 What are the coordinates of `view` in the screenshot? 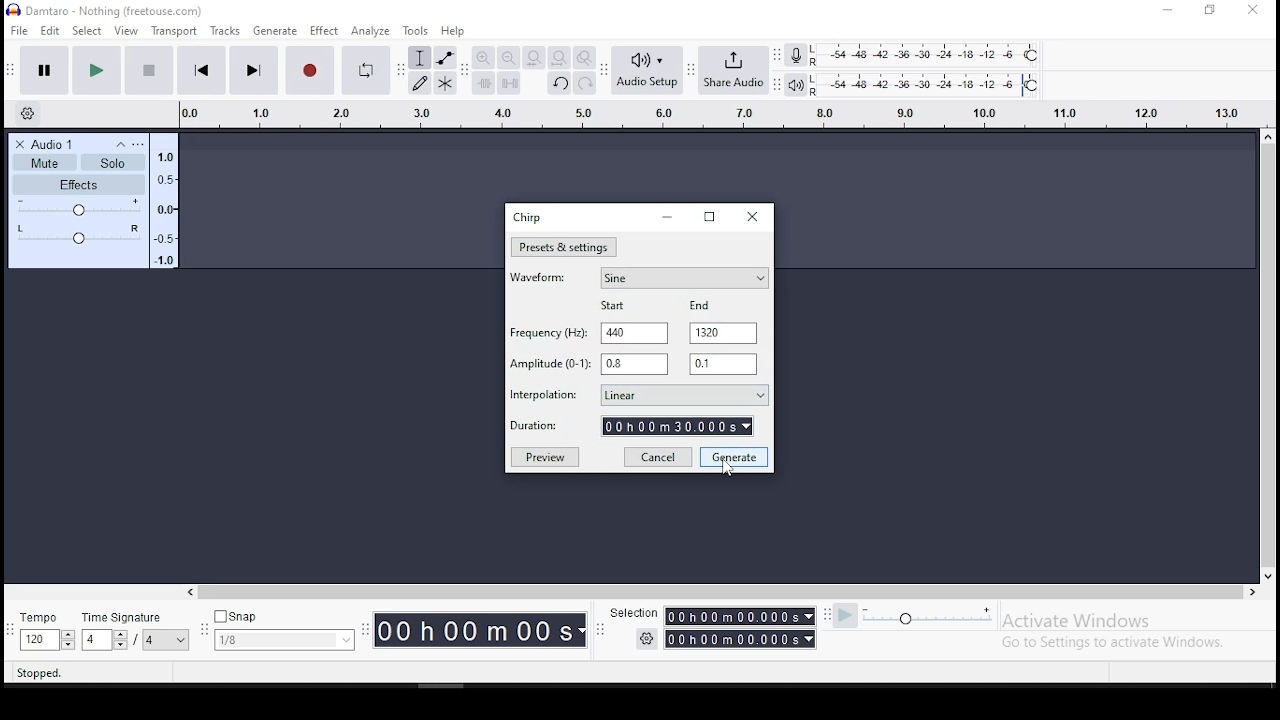 It's located at (127, 31).